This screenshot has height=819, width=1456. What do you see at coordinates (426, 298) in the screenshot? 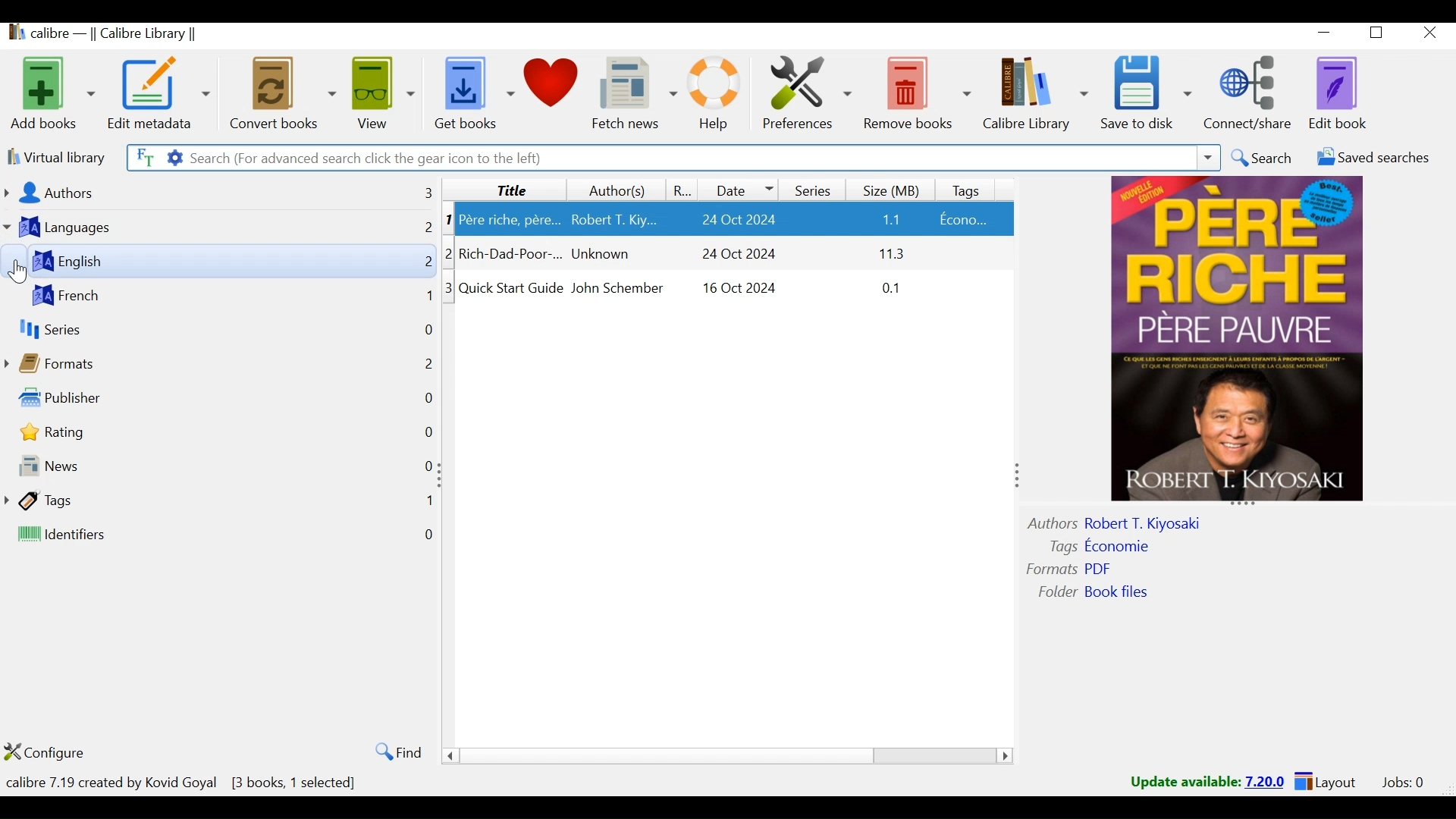
I see `1` at bounding box center [426, 298].